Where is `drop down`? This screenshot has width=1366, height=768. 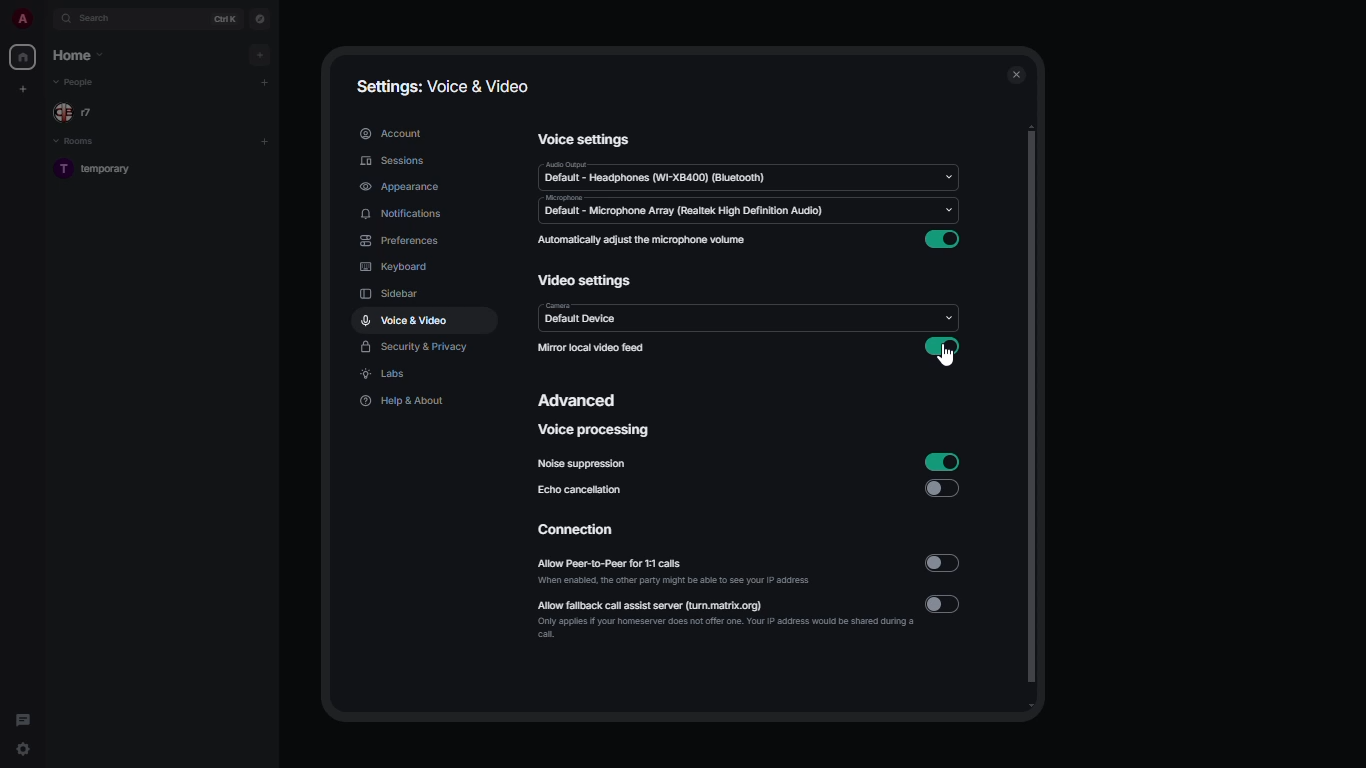 drop down is located at coordinates (950, 314).